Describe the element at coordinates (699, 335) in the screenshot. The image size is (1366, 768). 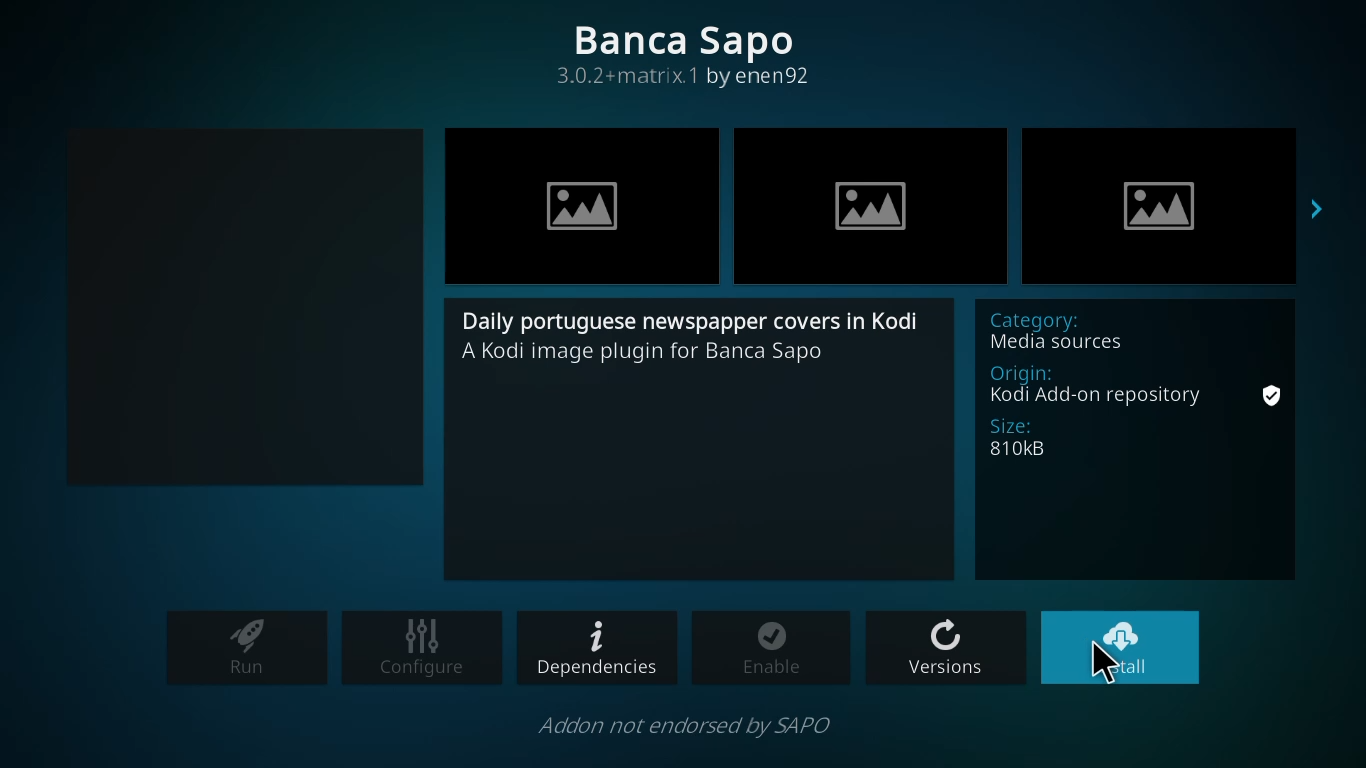
I see `description` at that location.